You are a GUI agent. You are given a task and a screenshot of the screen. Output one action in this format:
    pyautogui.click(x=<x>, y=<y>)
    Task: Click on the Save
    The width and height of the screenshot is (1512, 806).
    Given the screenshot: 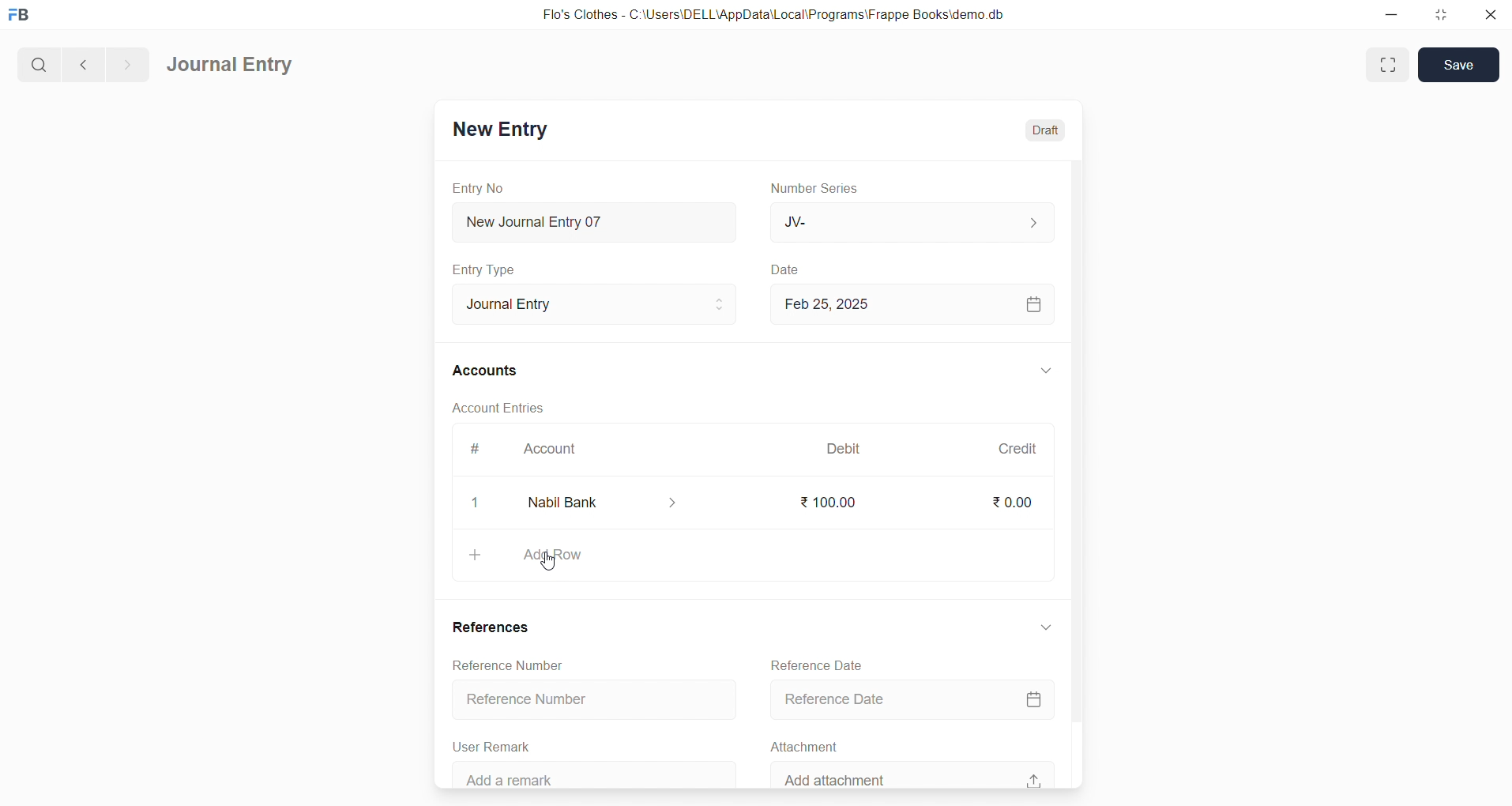 What is the action you would take?
    pyautogui.click(x=1459, y=65)
    